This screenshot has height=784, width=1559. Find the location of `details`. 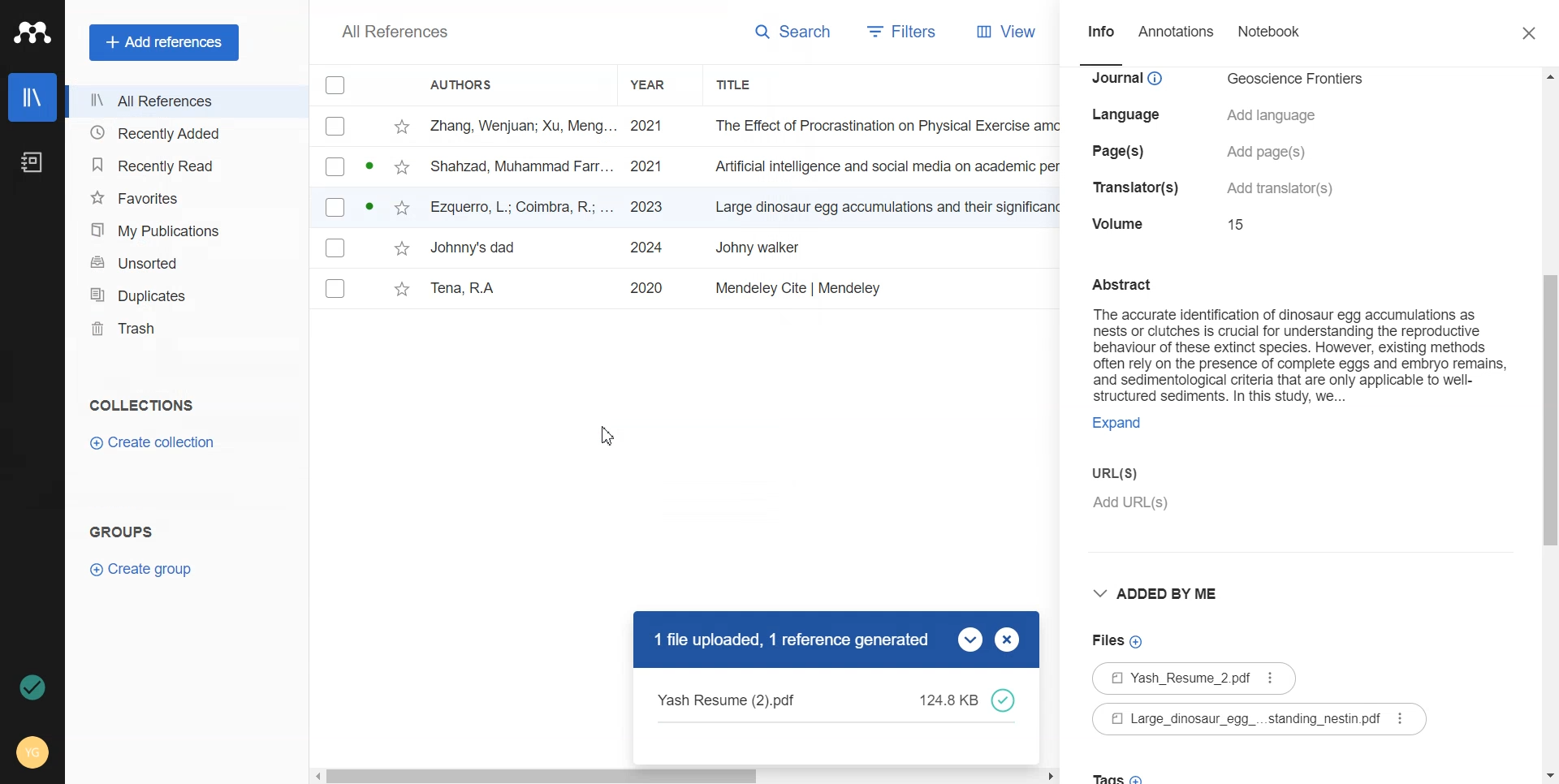

details is located at coordinates (1281, 188).